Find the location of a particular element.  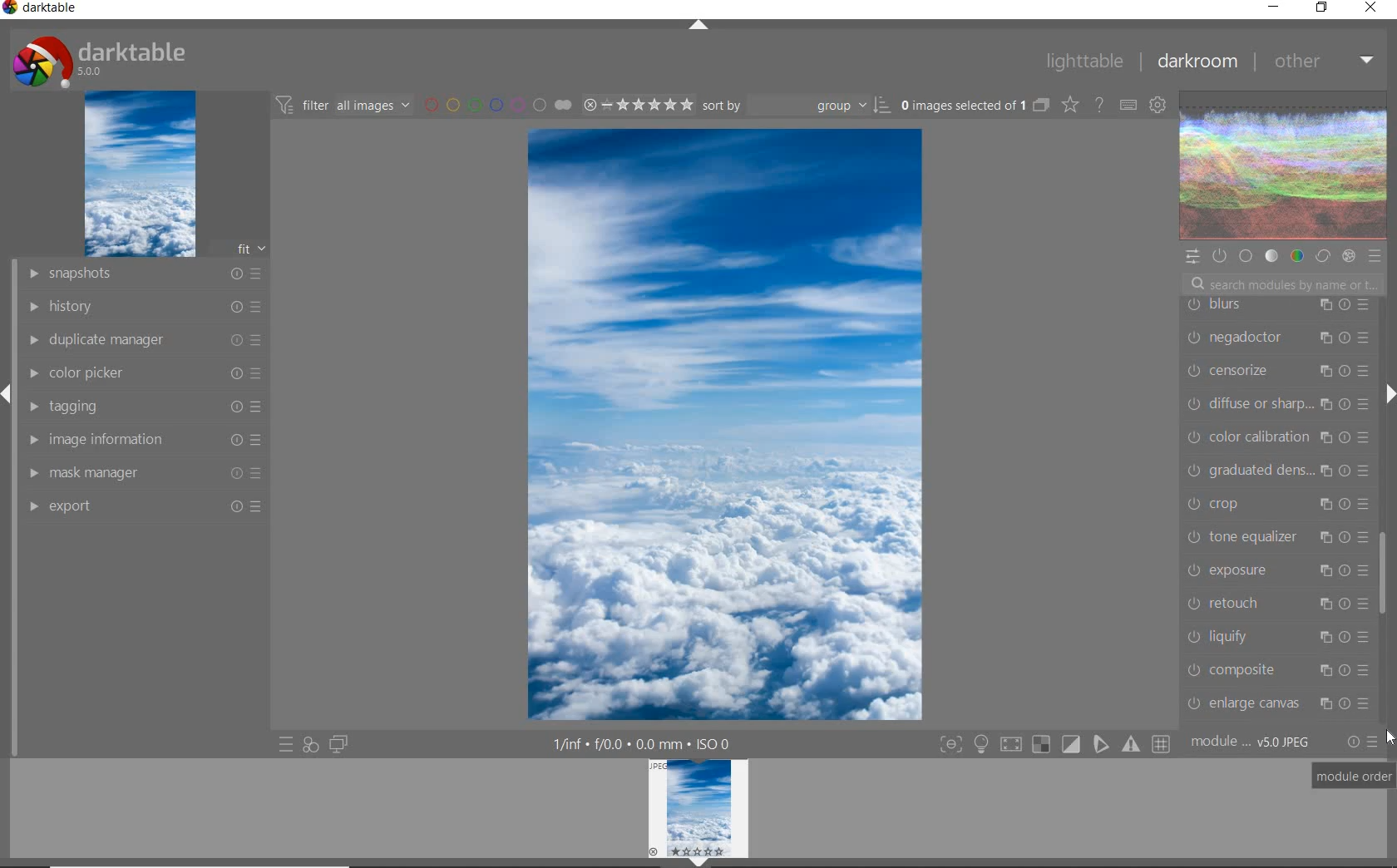

exposure is located at coordinates (1276, 570).